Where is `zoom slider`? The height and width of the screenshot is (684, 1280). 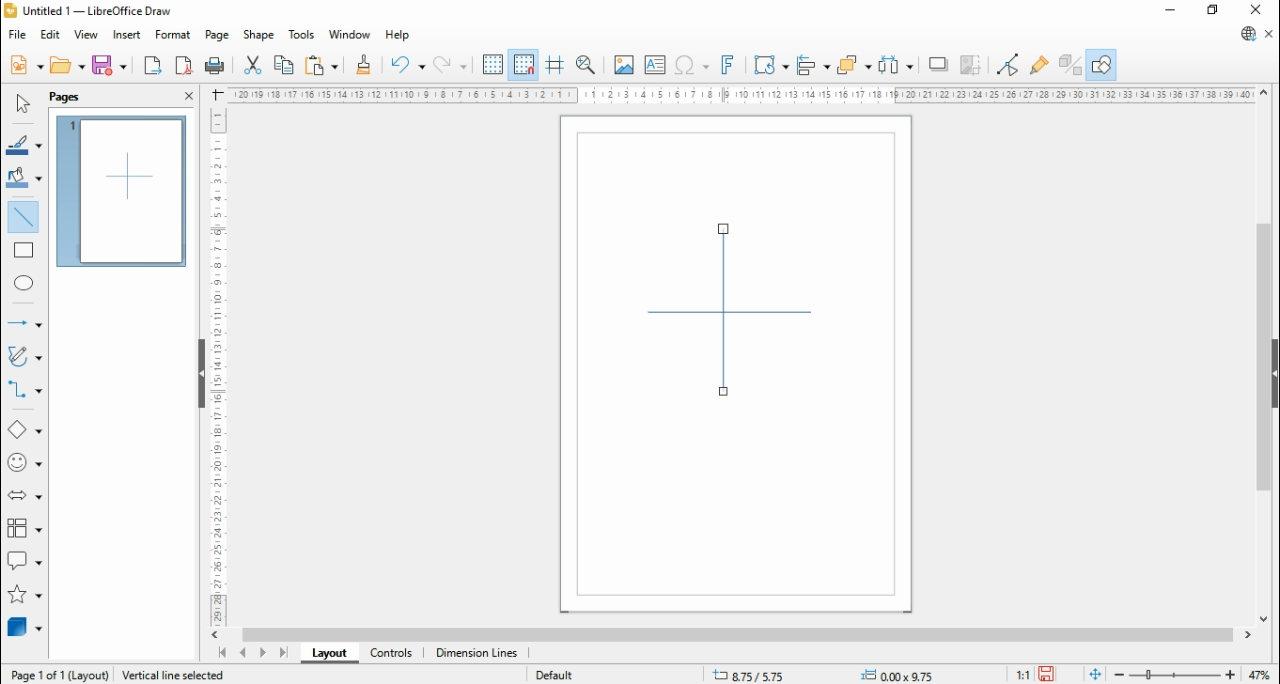 zoom slider is located at coordinates (1173, 675).